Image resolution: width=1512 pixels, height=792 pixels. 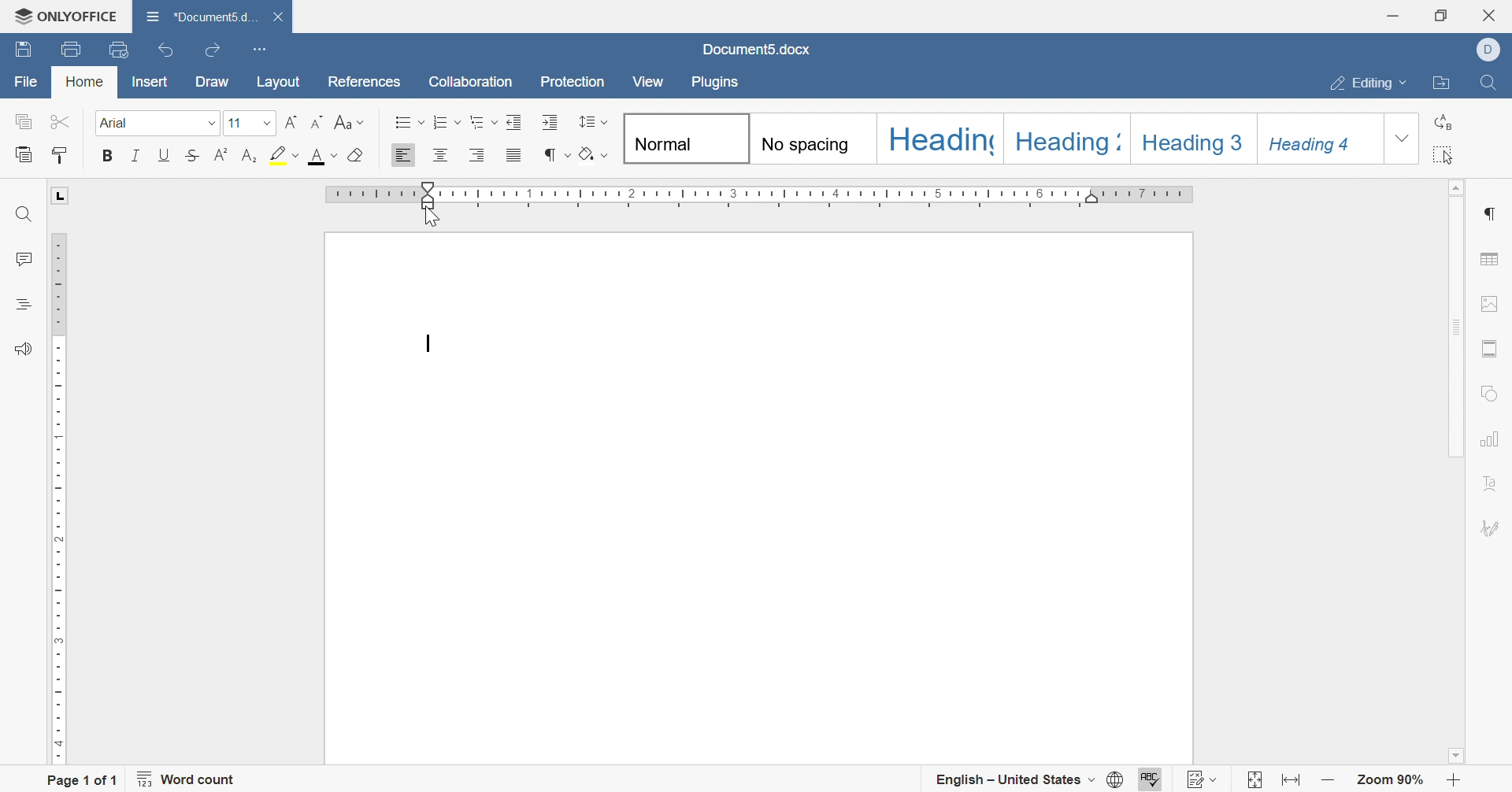 What do you see at coordinates (268, 124) in the screenshot?
I see `drop down` at bounding box center [268, 124].